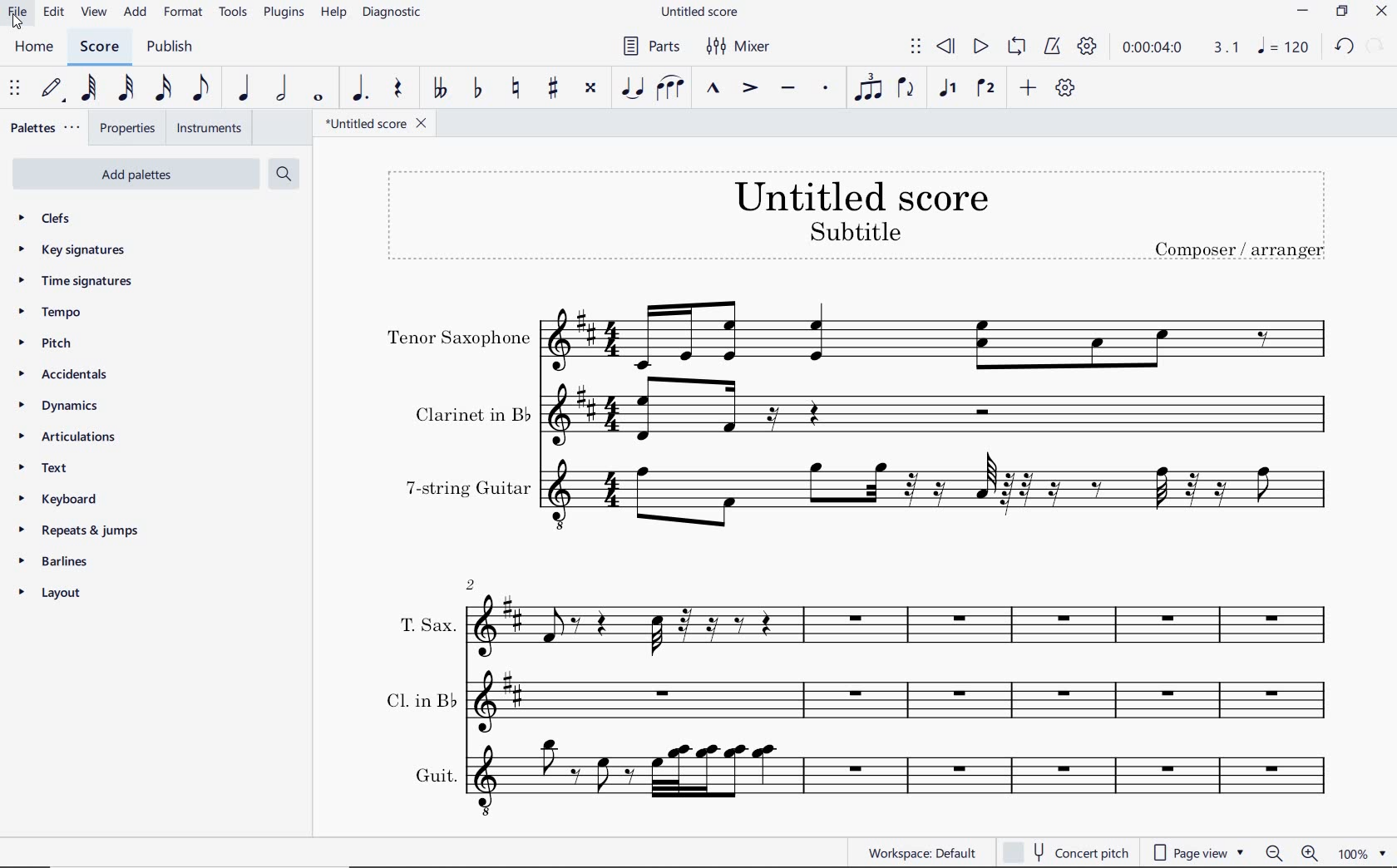 The width and height of the screenshot is (1397, 868). I want to click on PLAY TIME, so click(1181, 48).